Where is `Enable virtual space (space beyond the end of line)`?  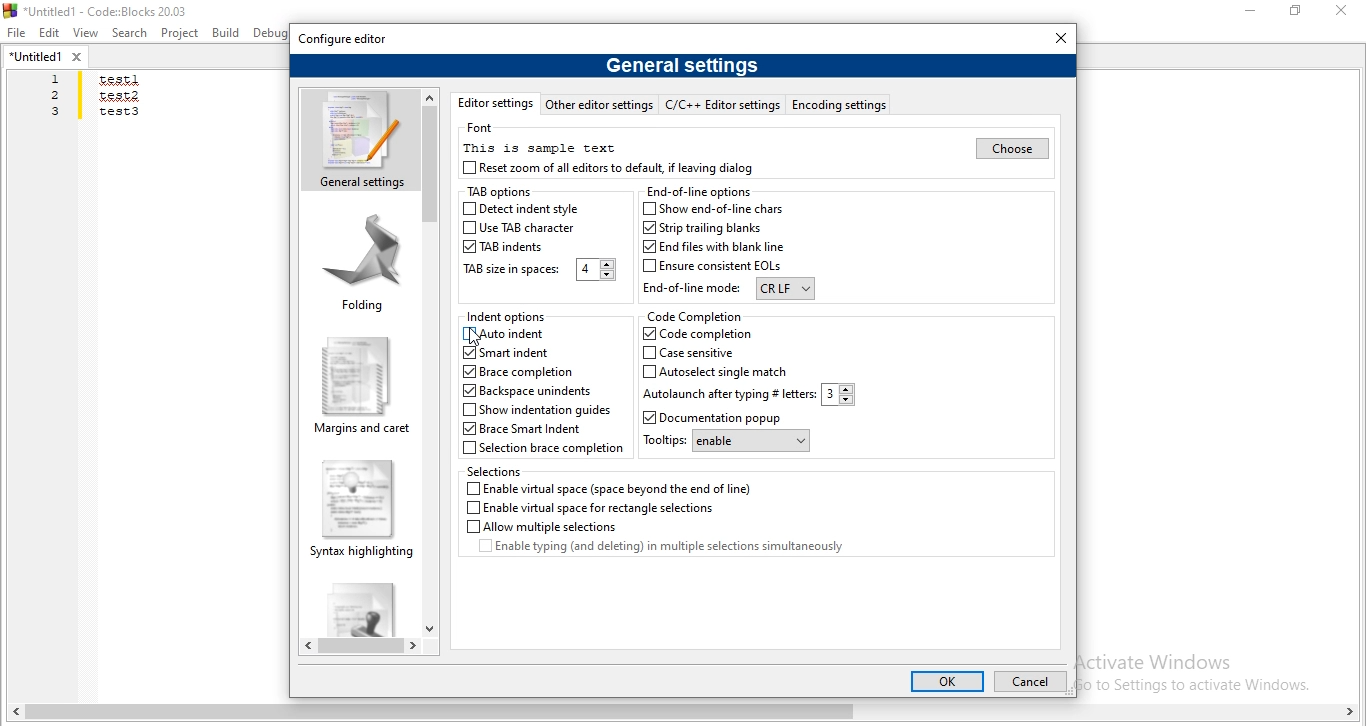
Enable virtual space (space beyond the end of line) is located at coordinates (610, 488).